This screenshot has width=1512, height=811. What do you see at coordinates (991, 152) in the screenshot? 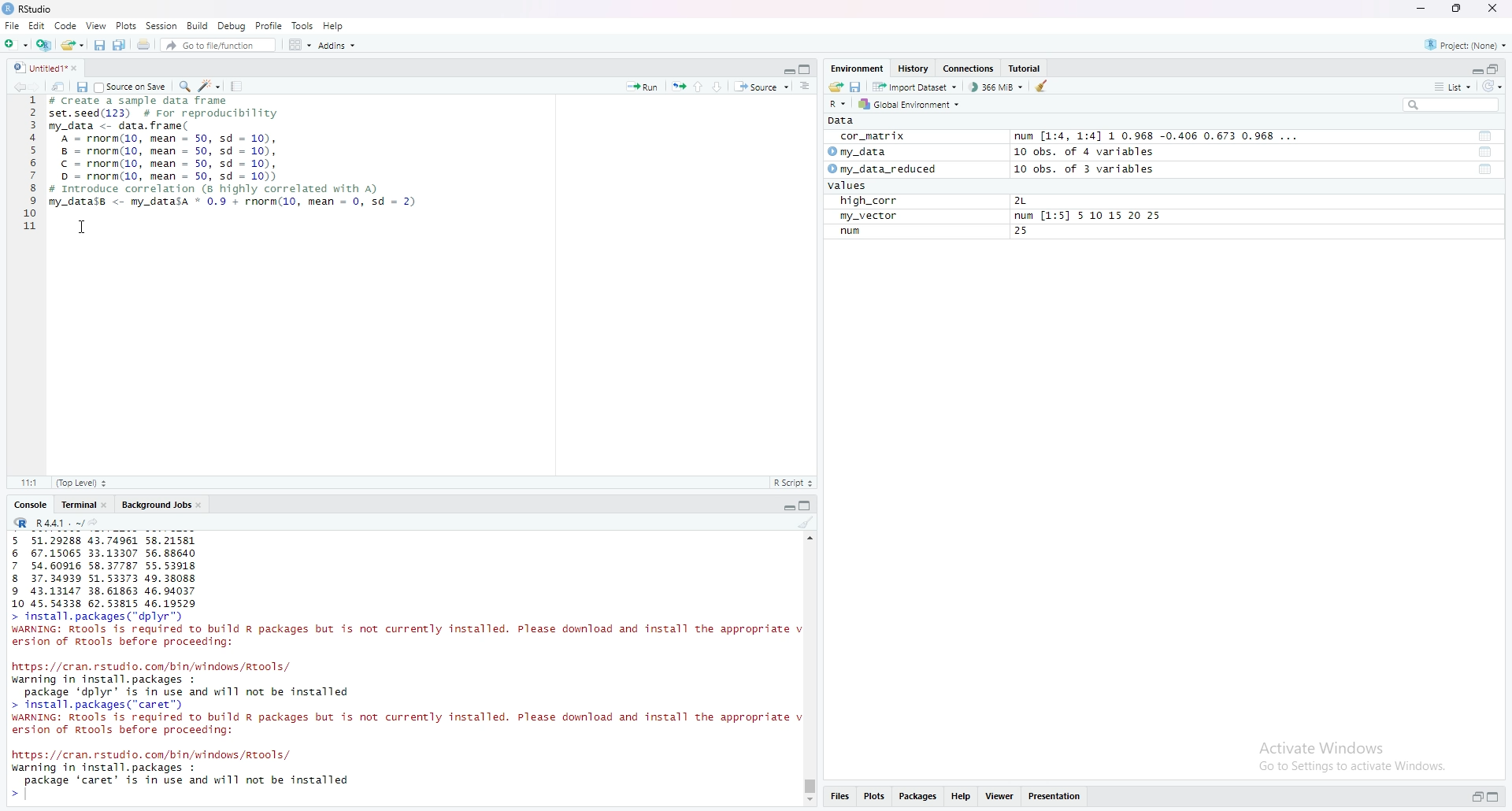
I see `my_data 10 obs. of 4 variables` at bounding box center [991, 152].